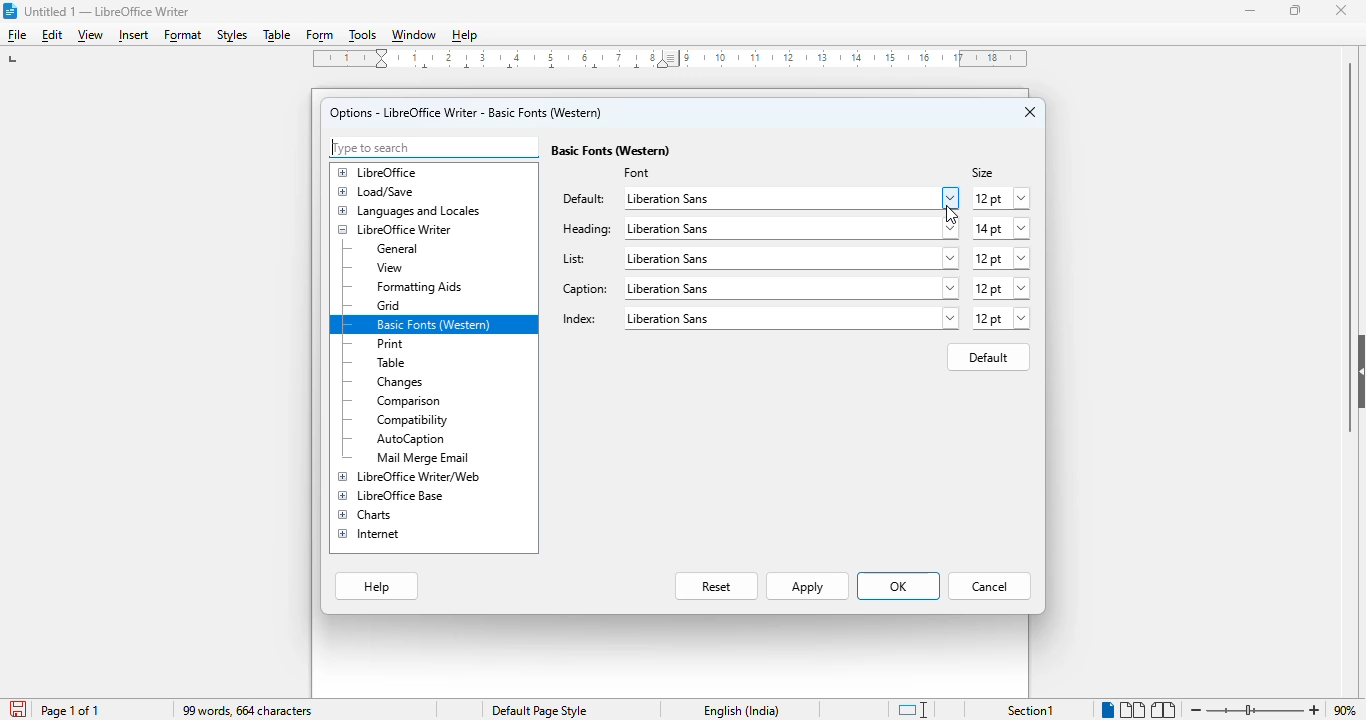 The height and width of the screenshot is (720, 1366). Describe the element at coordinates (399, 249) in the screenshot. I see `general` at that location.